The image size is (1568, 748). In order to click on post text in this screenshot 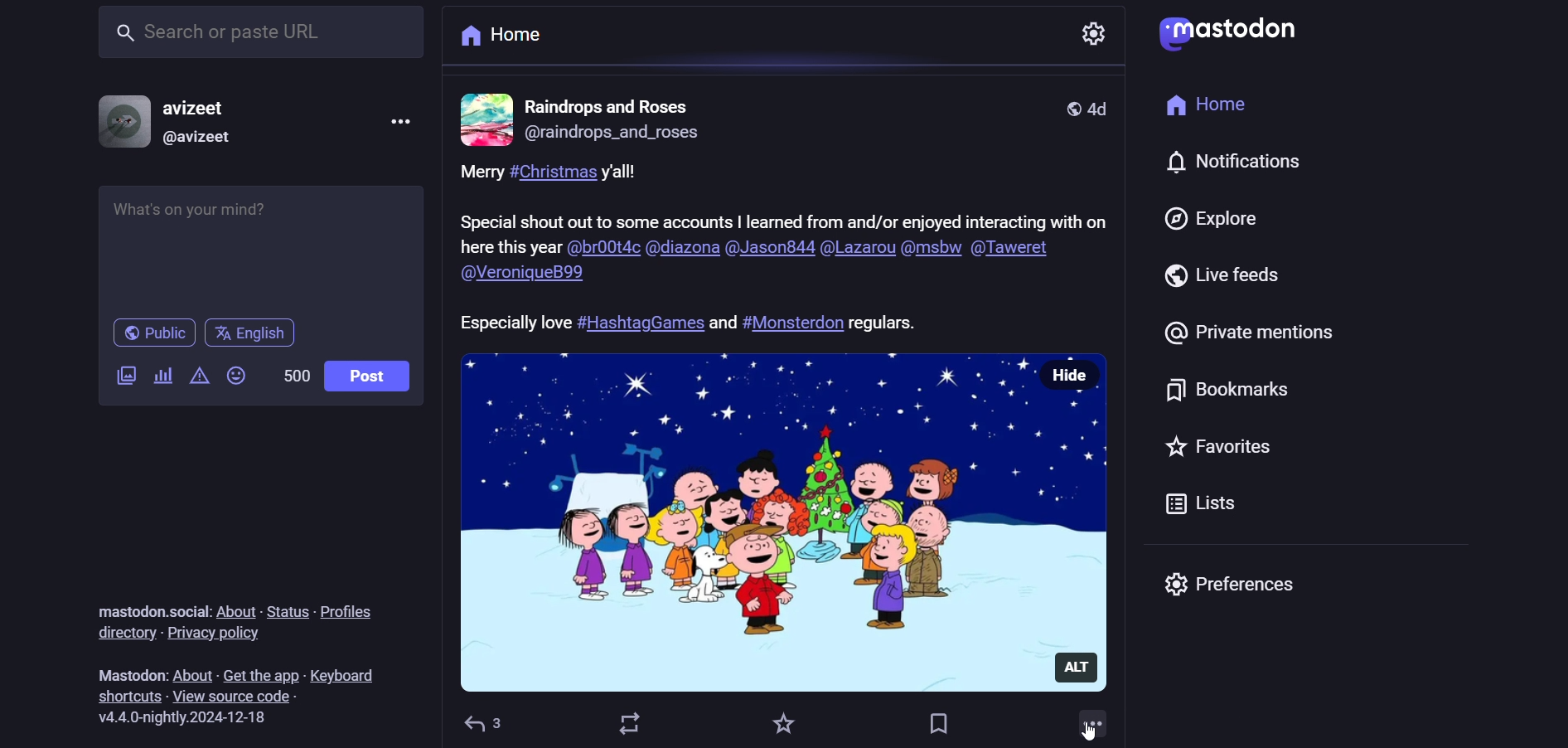, I will do `click(788, 198)`.